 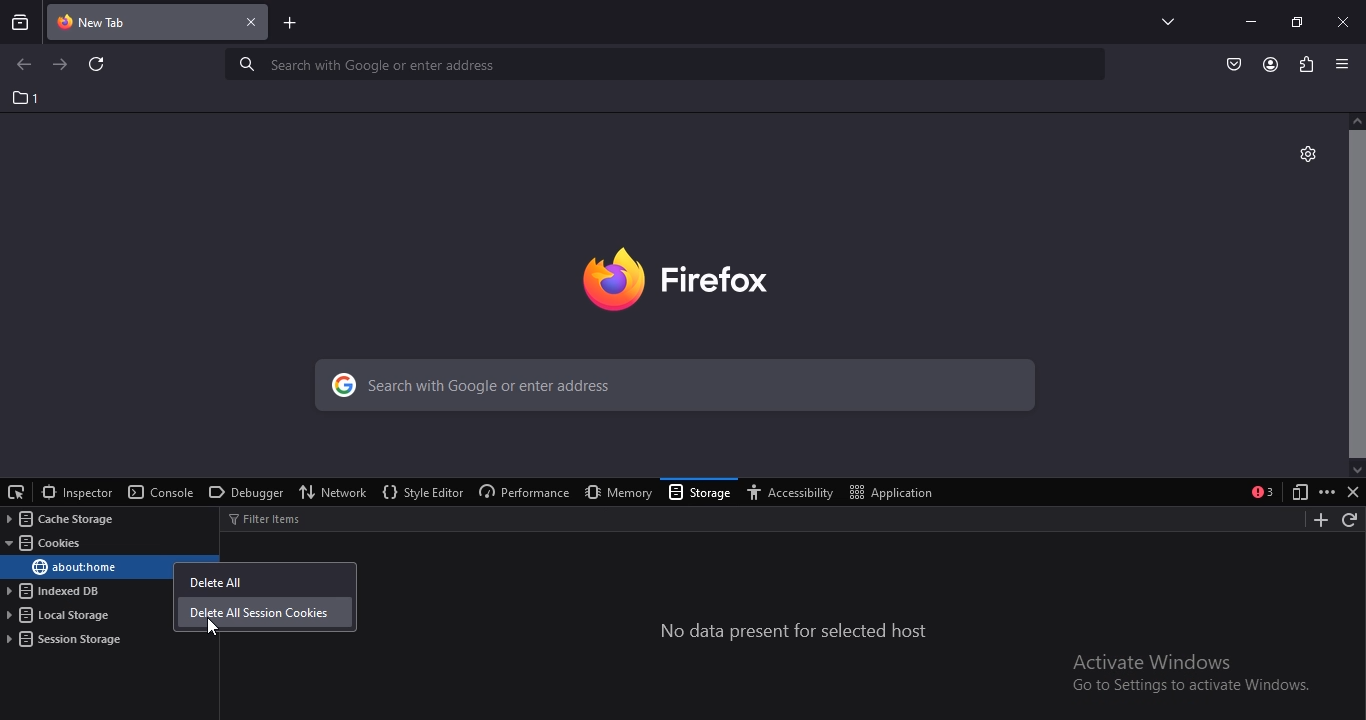 What do you see at coordinates (1345, 21) in the screenshot?
I see `close` at bounding box center [1345, 21].